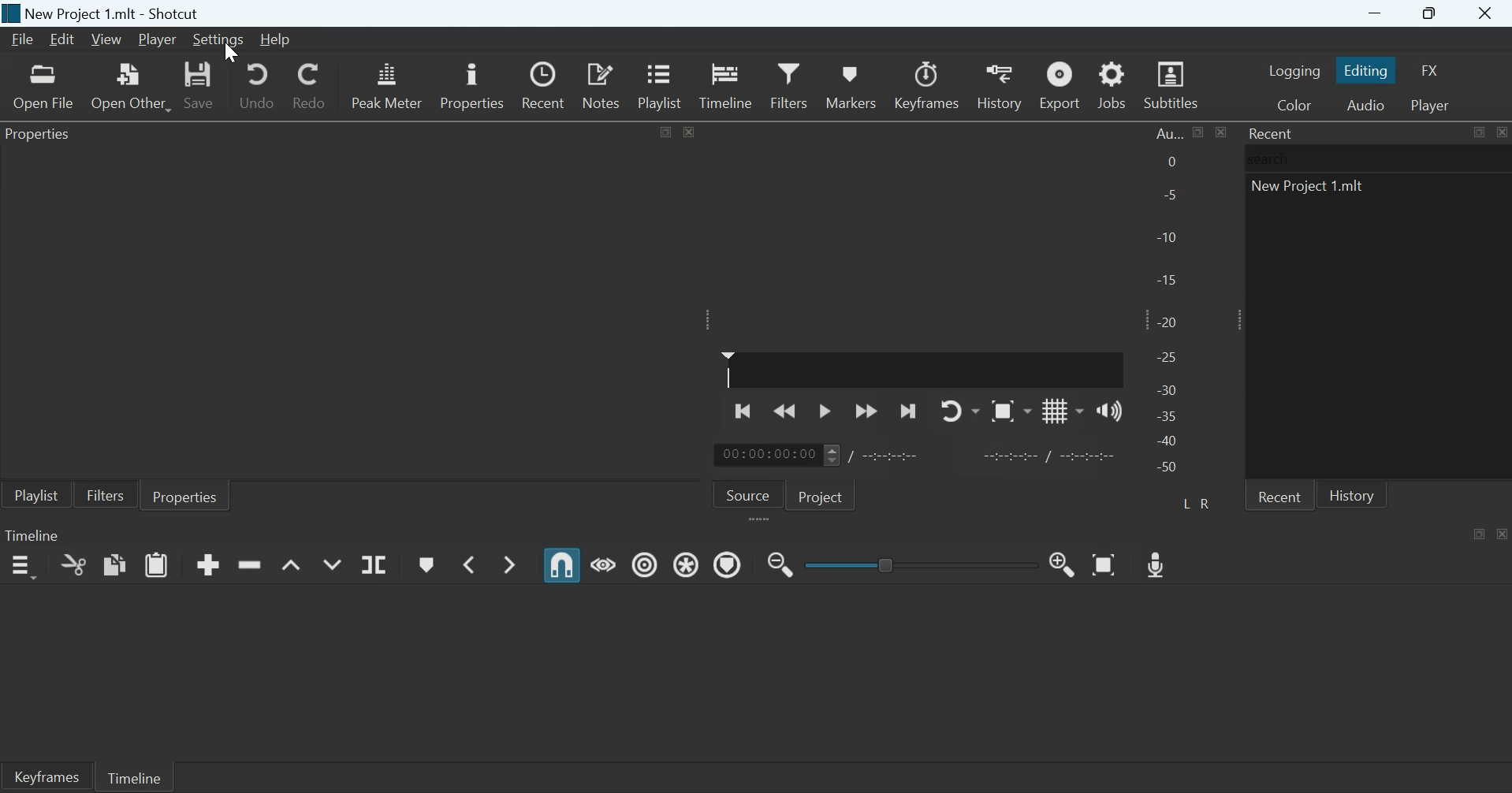  I want to click on Snap, so click(562, 565).